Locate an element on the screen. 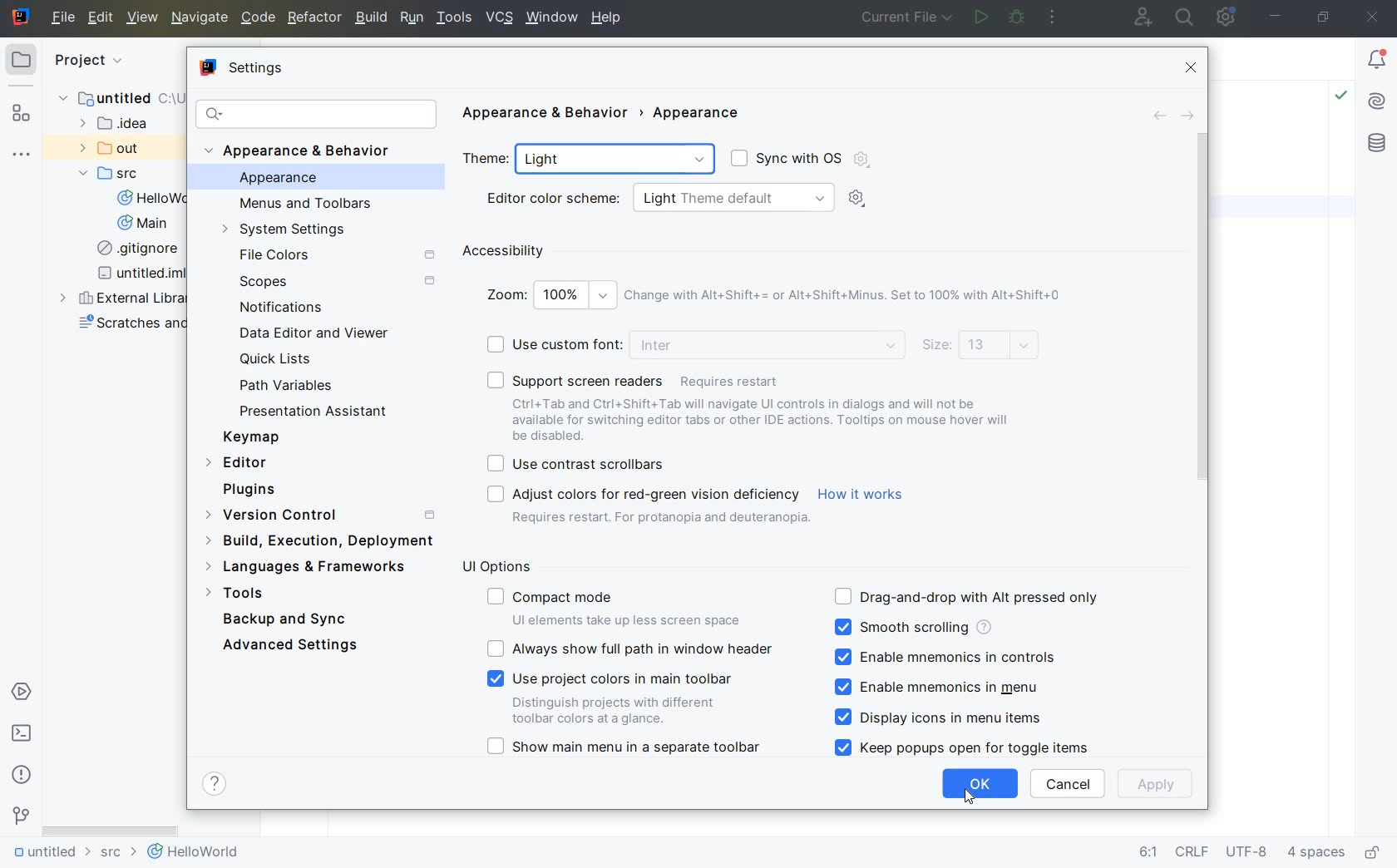 Image resolution: width=1397 pixels, height=868 pixels. PATH VARIABLES is located at coordinates (287, 386).